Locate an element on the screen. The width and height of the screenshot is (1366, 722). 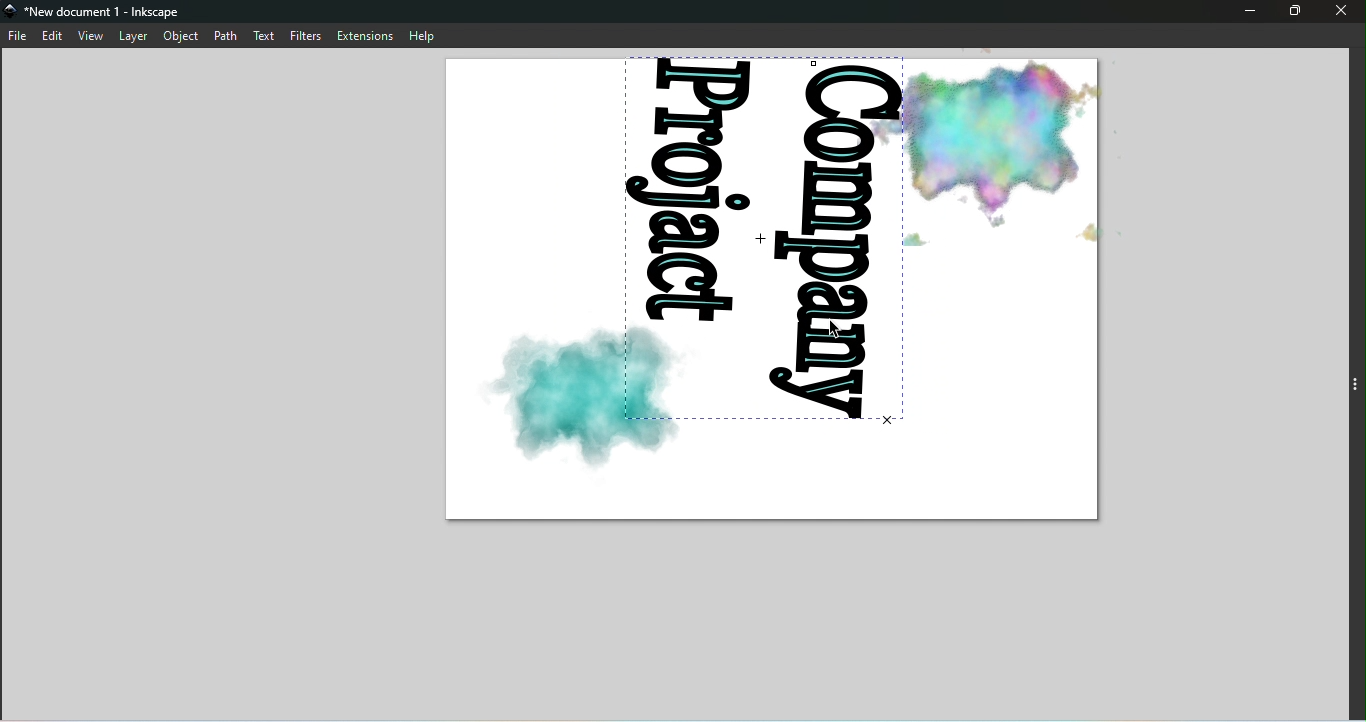
Minimize is located at coordinates (1246, 13).